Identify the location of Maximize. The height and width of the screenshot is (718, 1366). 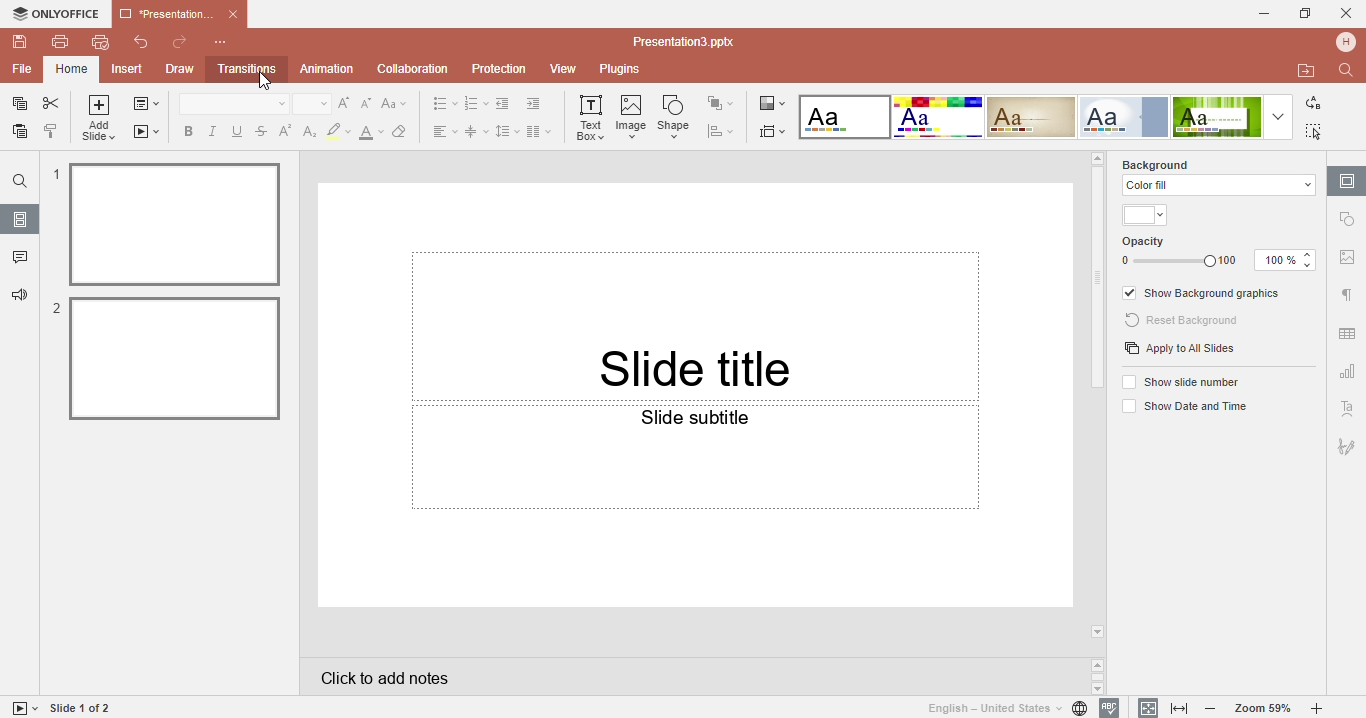
(1306, 12).